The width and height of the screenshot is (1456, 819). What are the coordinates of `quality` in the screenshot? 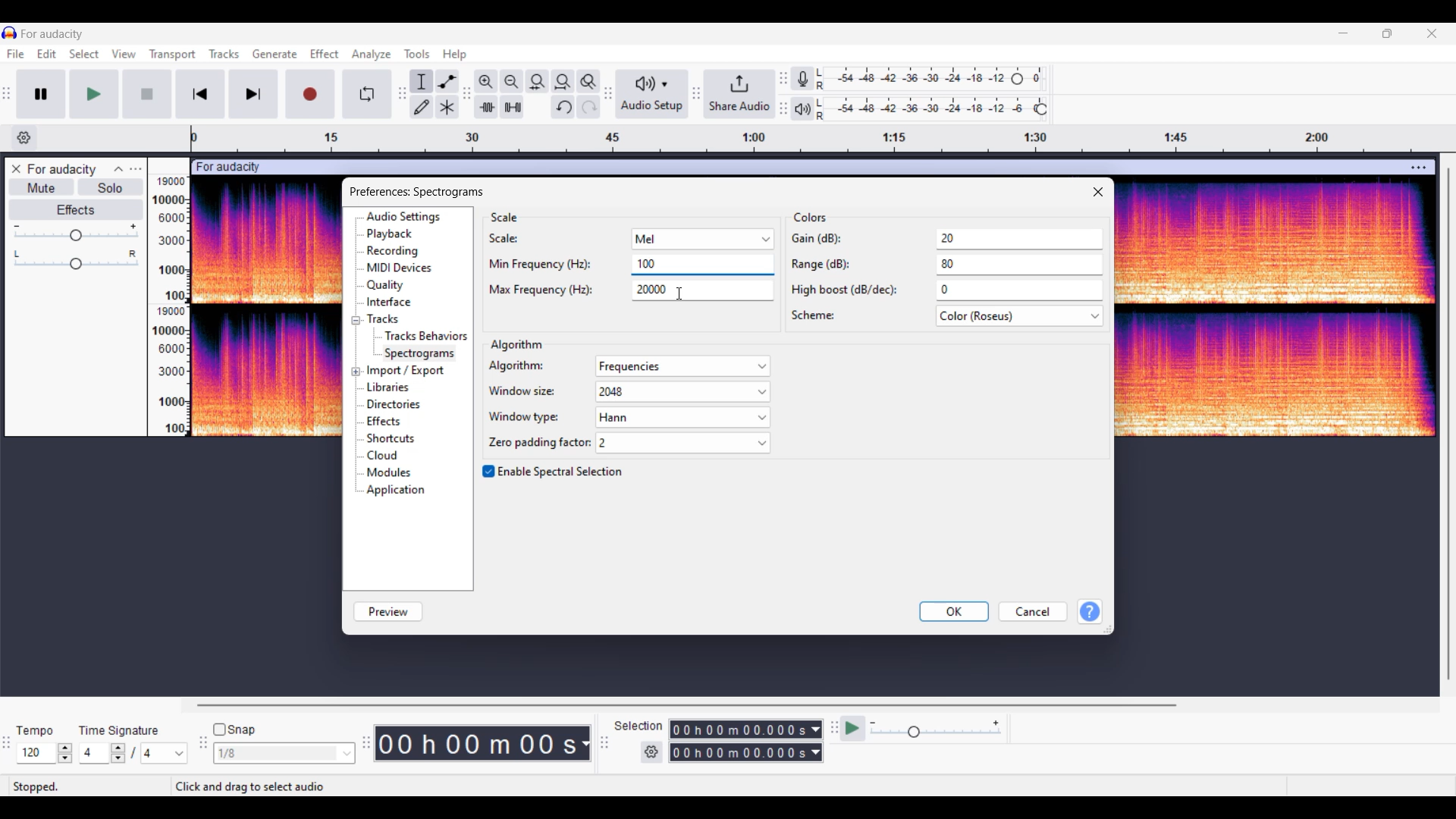 It's located at (388, 286).